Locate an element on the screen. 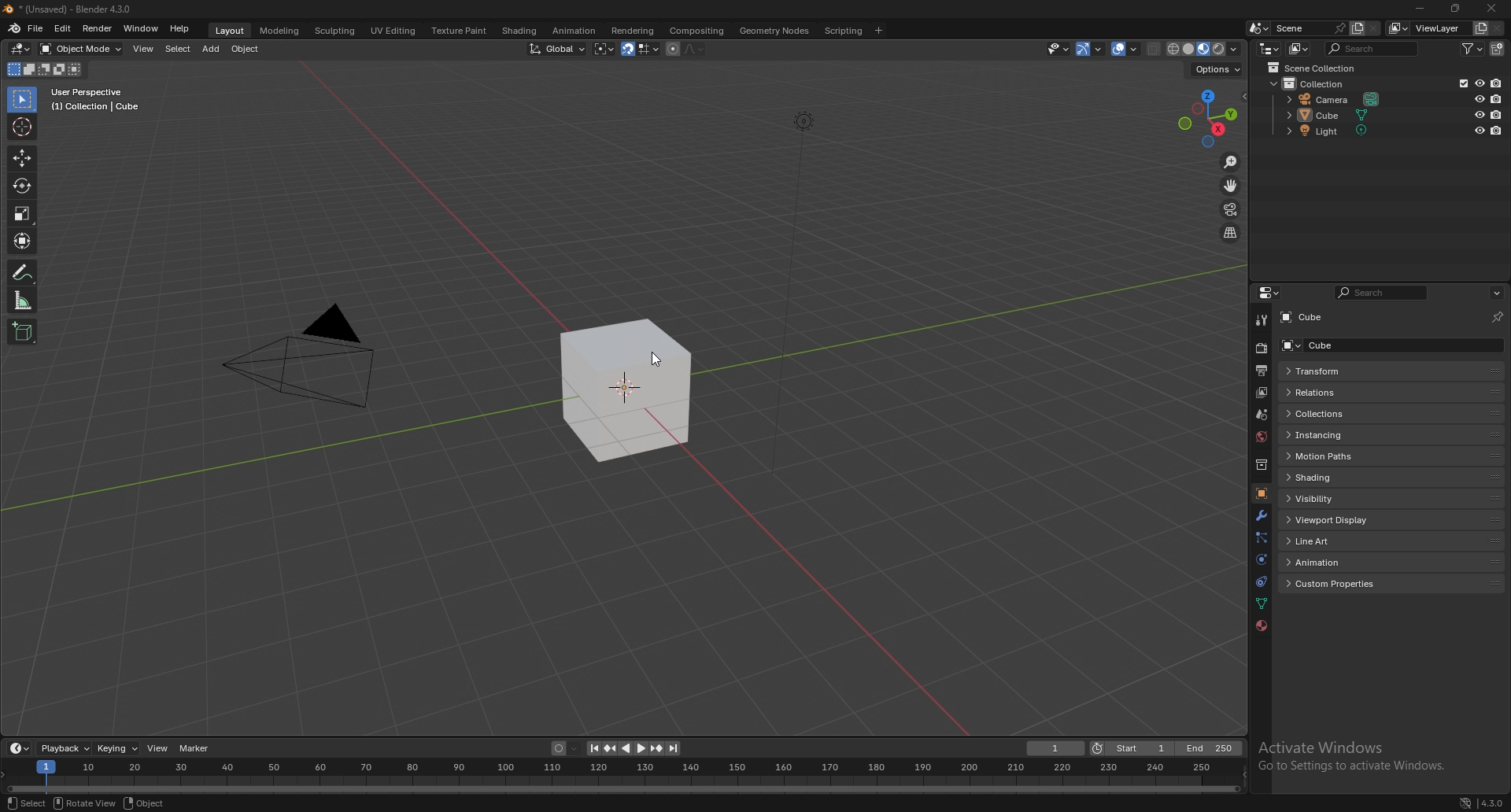  object is located at coordinates (248, 49).